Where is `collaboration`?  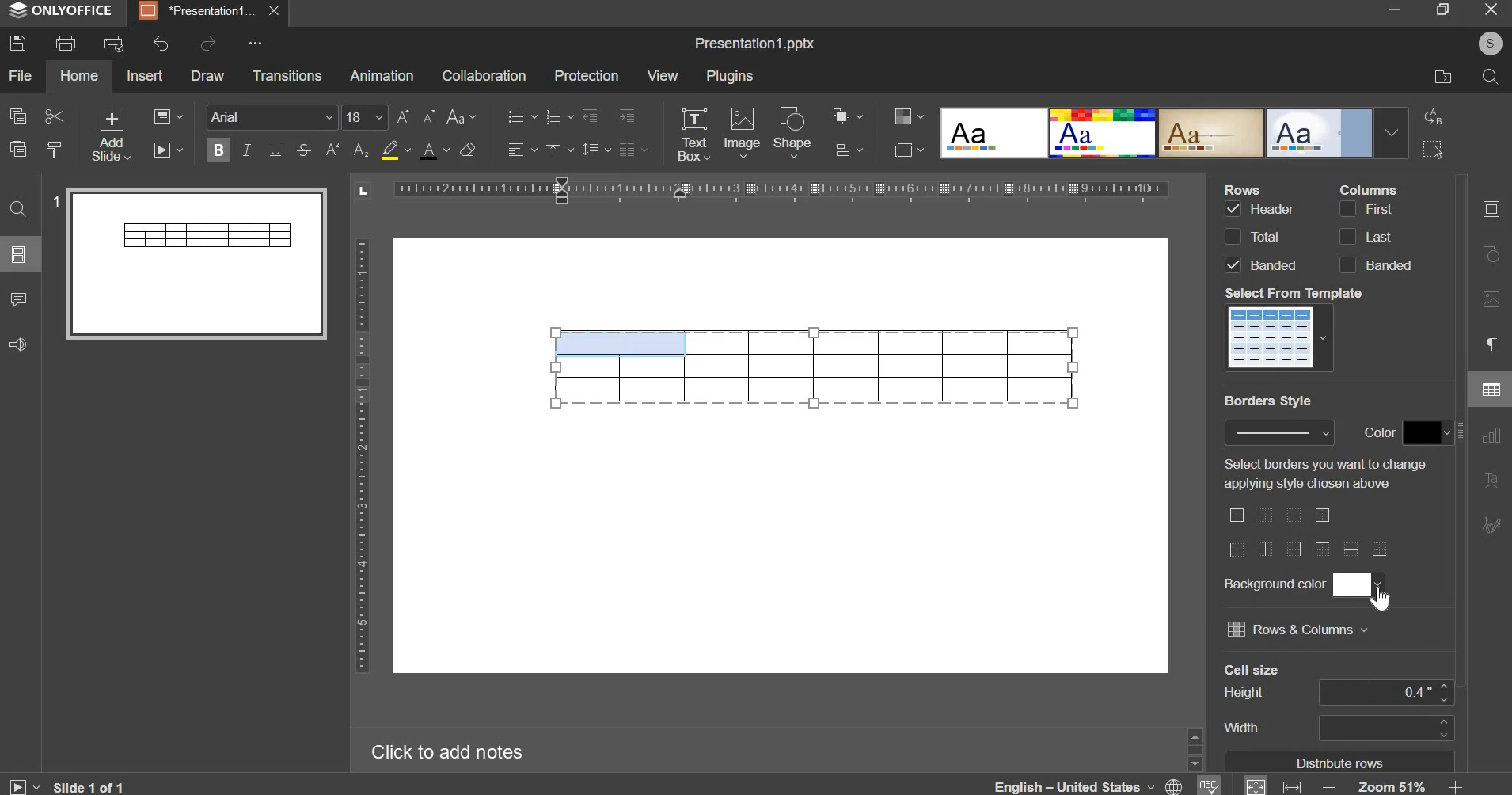 collaboration is located at coordinates (483, 75).